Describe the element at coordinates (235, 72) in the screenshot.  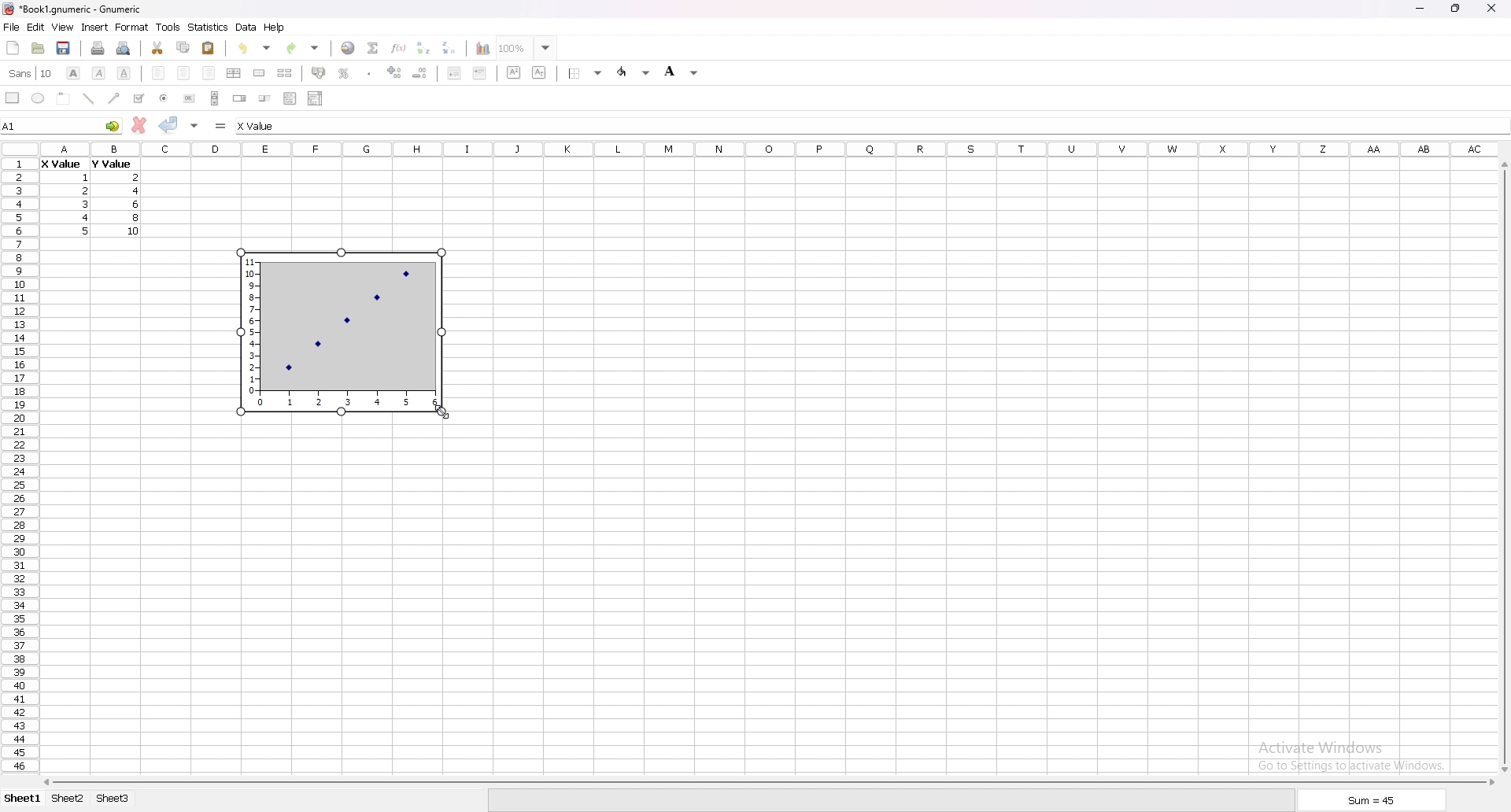
I see `centre horizontally` at that location.